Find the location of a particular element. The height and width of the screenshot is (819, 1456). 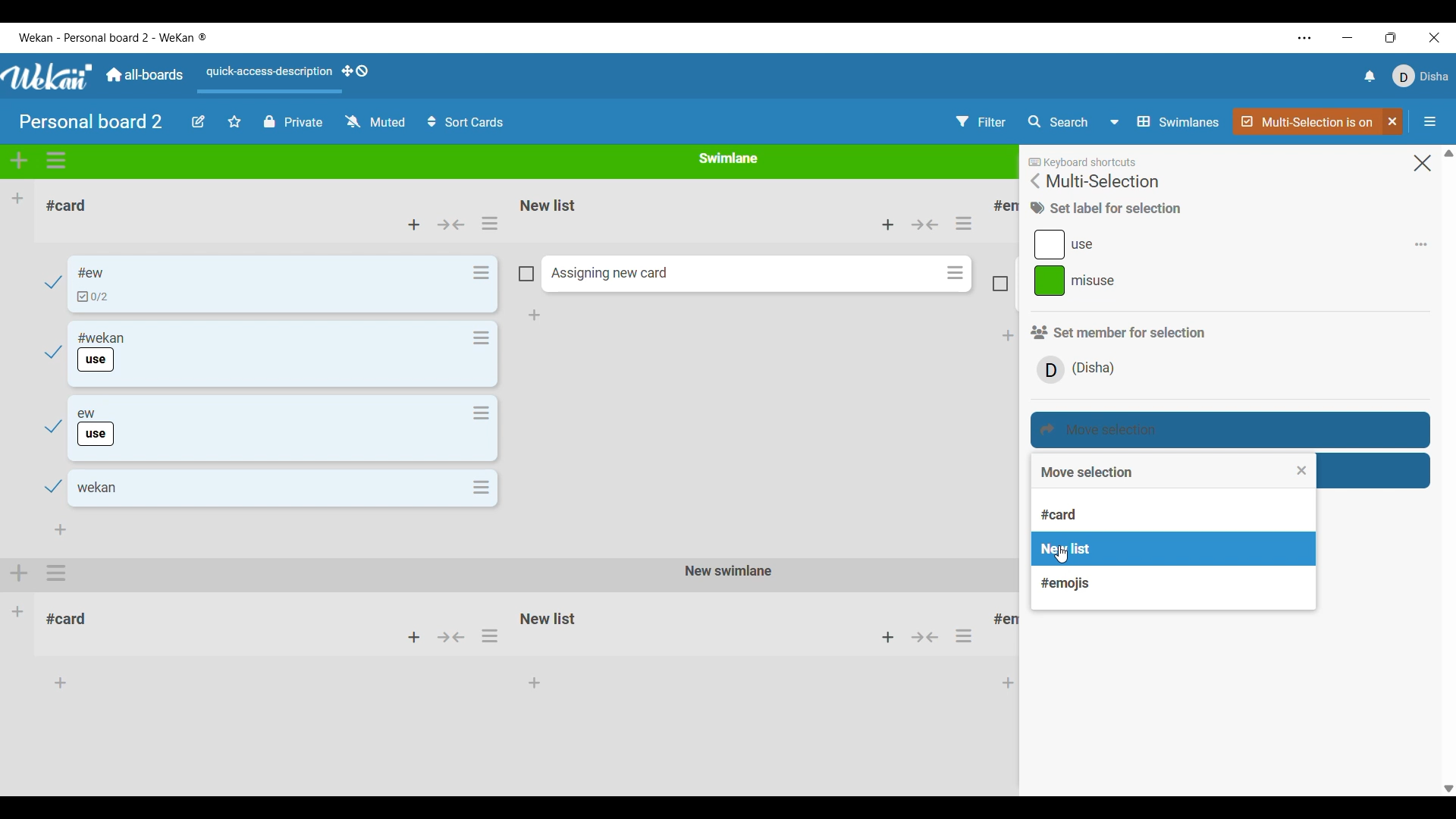

Current account is located at coordinates (1421, 75).